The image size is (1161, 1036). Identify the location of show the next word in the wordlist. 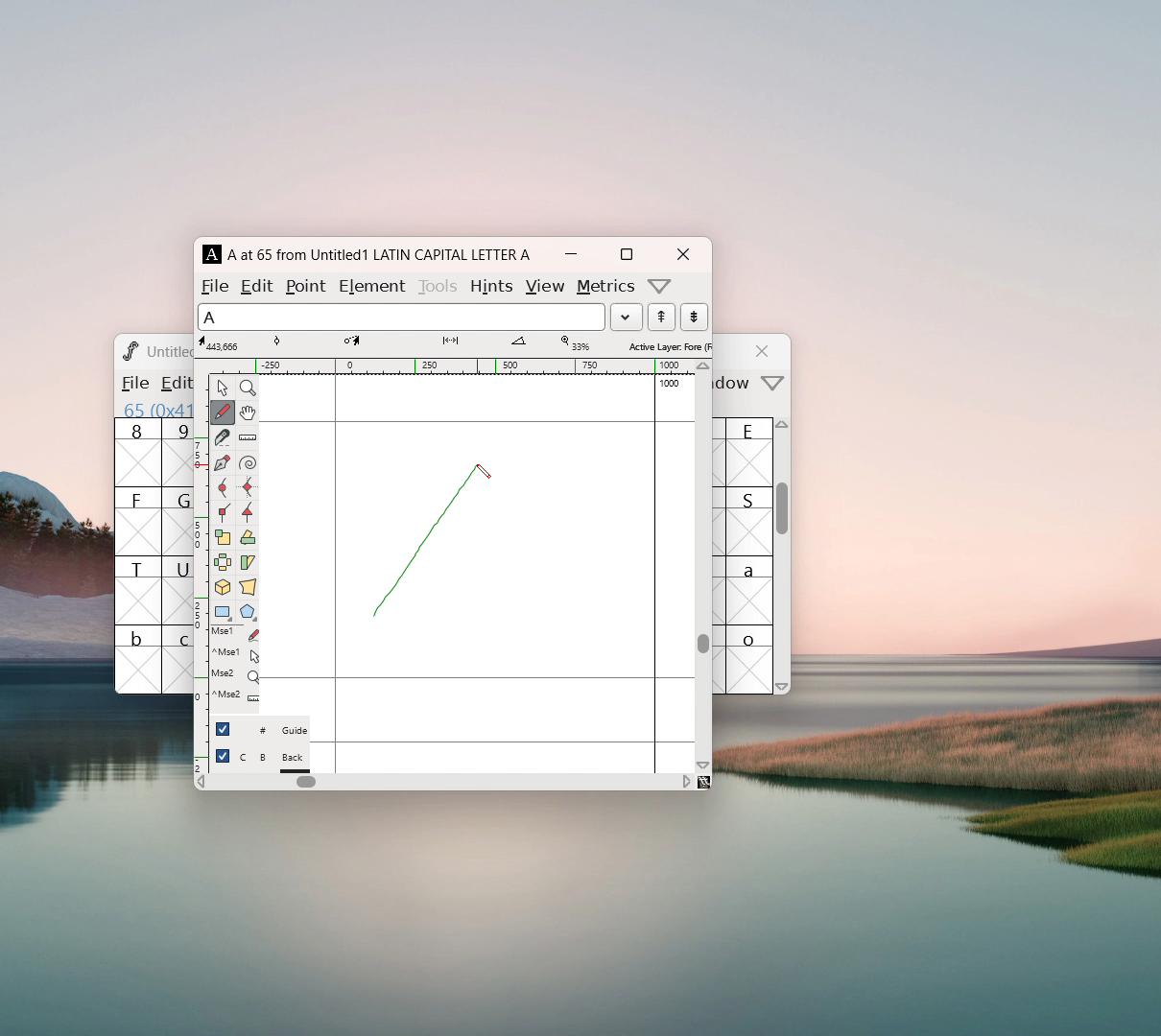
(661, 318).